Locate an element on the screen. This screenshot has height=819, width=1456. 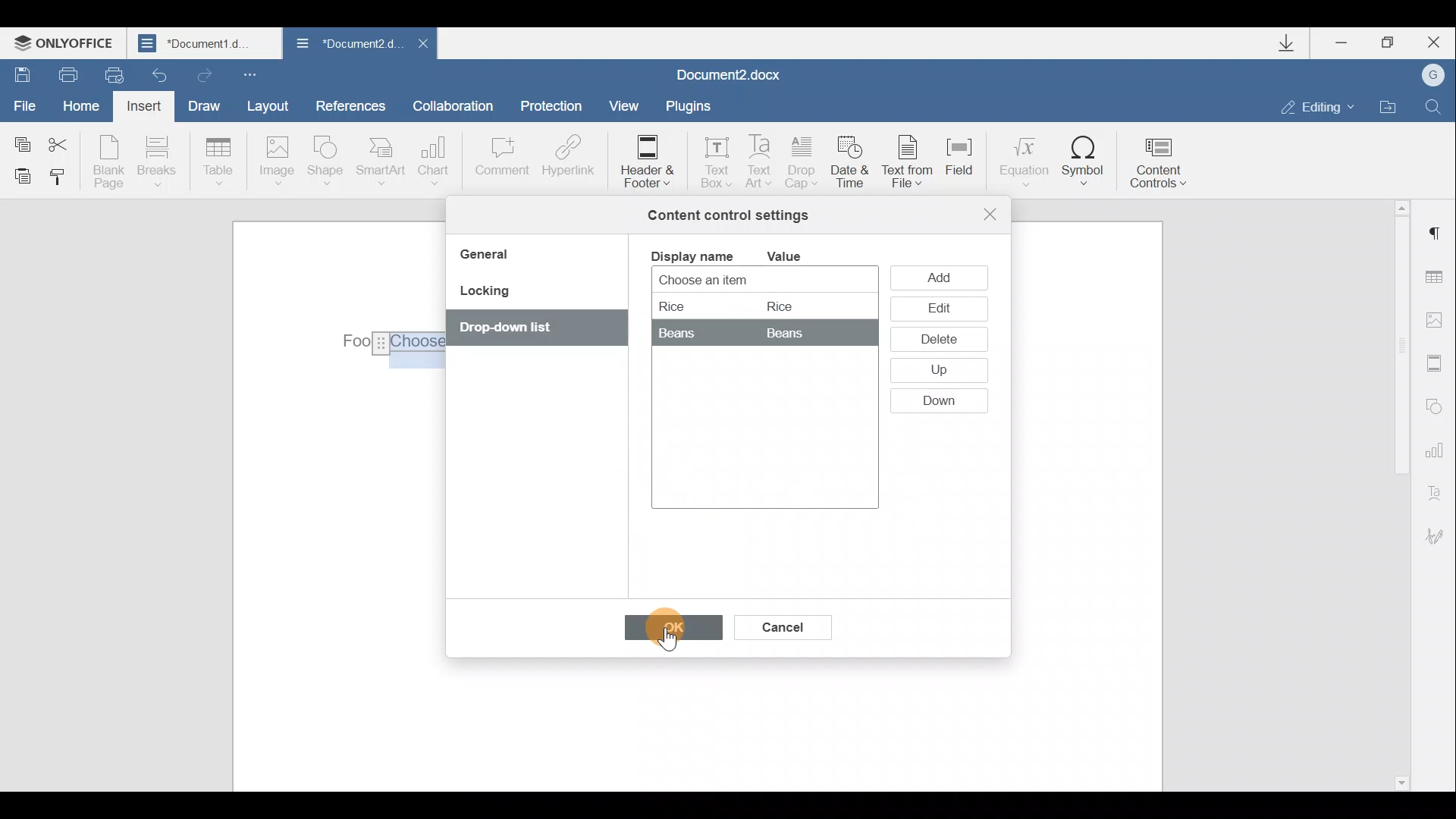
Shape is located at coordinates (328, 163).